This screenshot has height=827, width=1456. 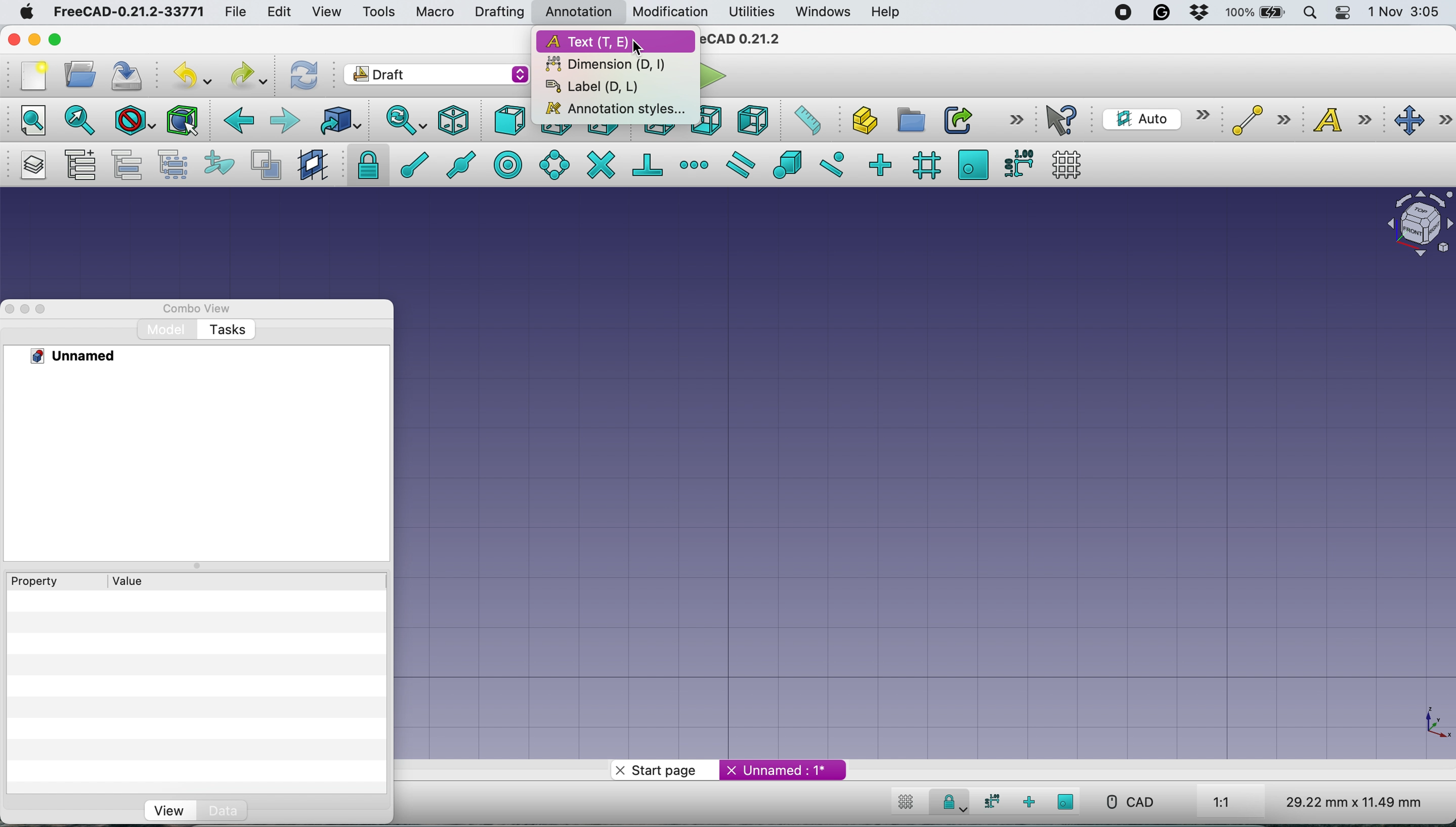 I want to click on snap special, so click(x=788, y=165).